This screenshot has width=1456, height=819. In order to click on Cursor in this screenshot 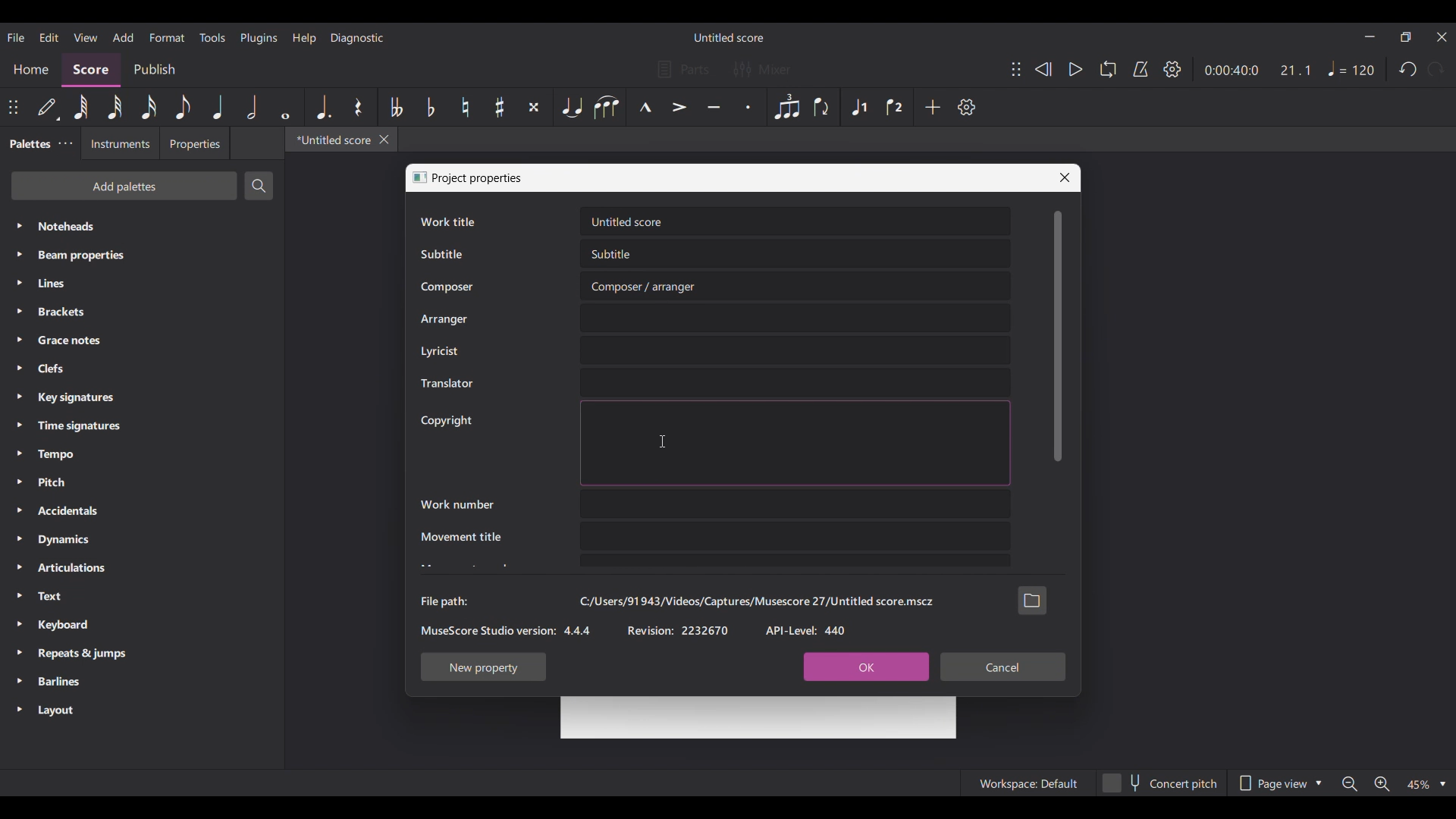, I will do `click(664, 441)`.